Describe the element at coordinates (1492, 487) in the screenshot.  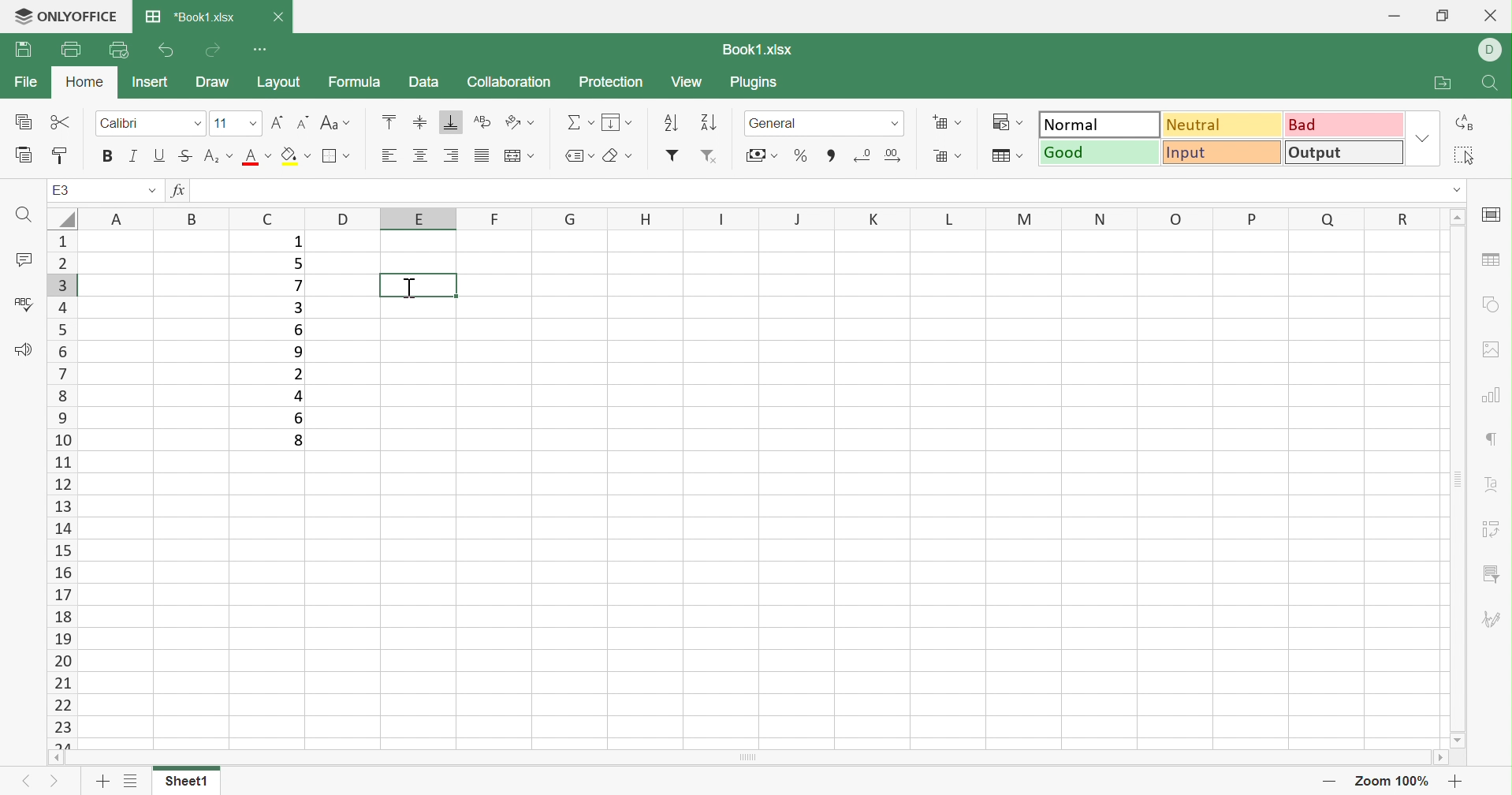
I see `Text Art settings` at that location.